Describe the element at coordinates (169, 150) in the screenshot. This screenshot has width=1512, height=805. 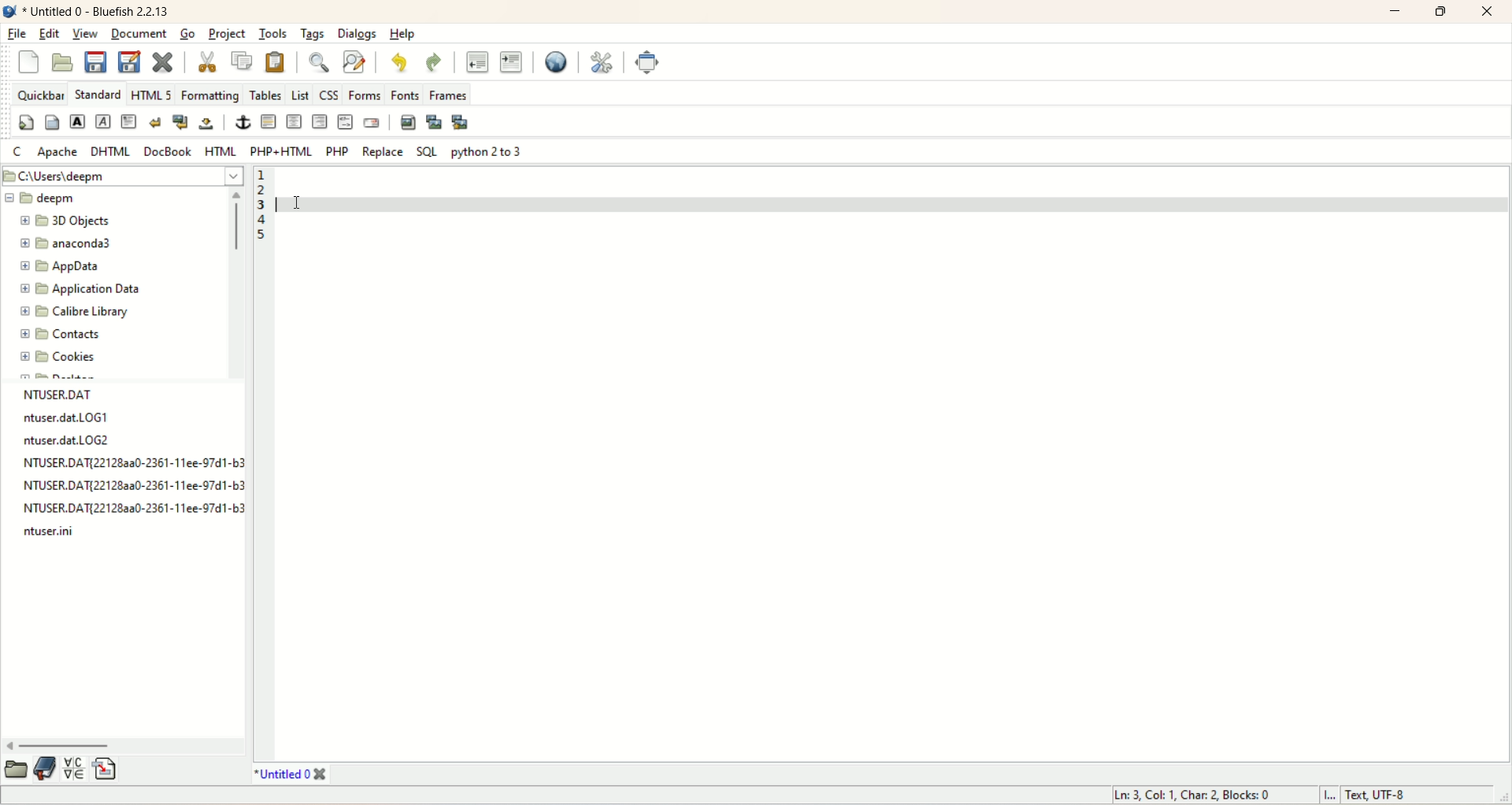
I see `DOCBOOK` at that location.